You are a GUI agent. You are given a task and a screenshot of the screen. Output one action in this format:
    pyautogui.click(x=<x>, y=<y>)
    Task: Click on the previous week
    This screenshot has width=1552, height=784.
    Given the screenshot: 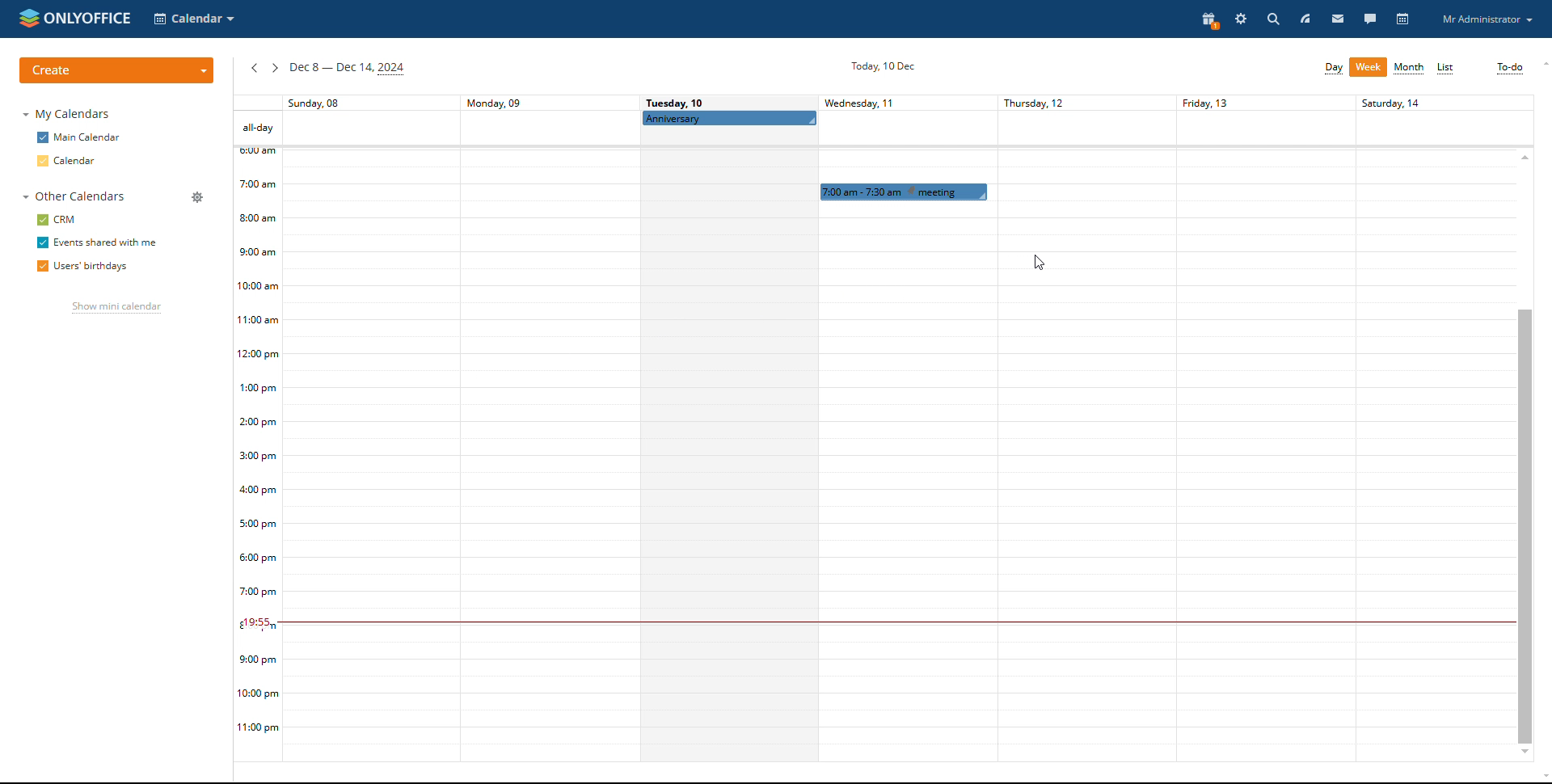 What is the action you would take?
    pyautogui.click(x=254, y=69)
    